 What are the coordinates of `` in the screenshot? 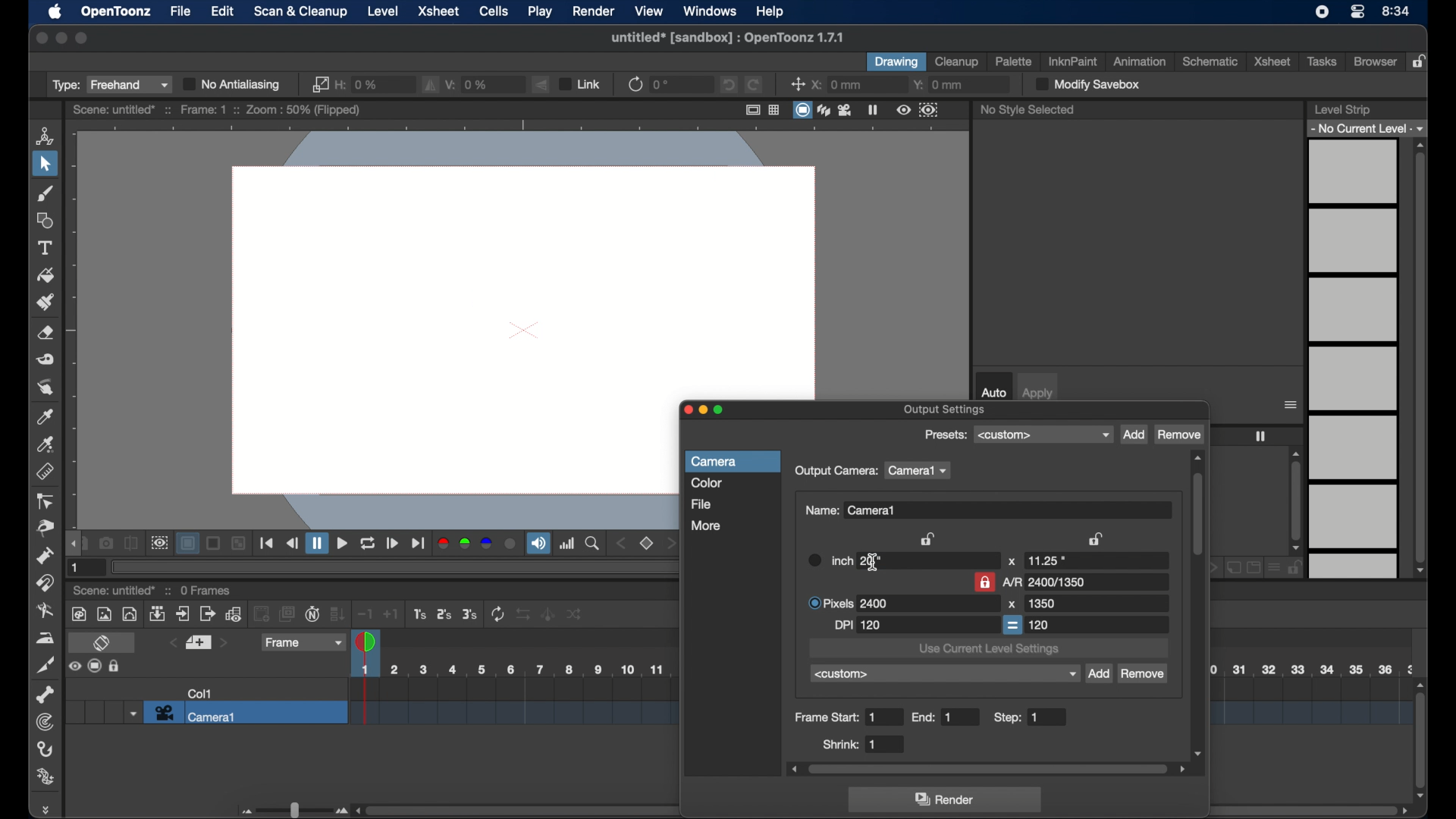 It's located at (207, 613).